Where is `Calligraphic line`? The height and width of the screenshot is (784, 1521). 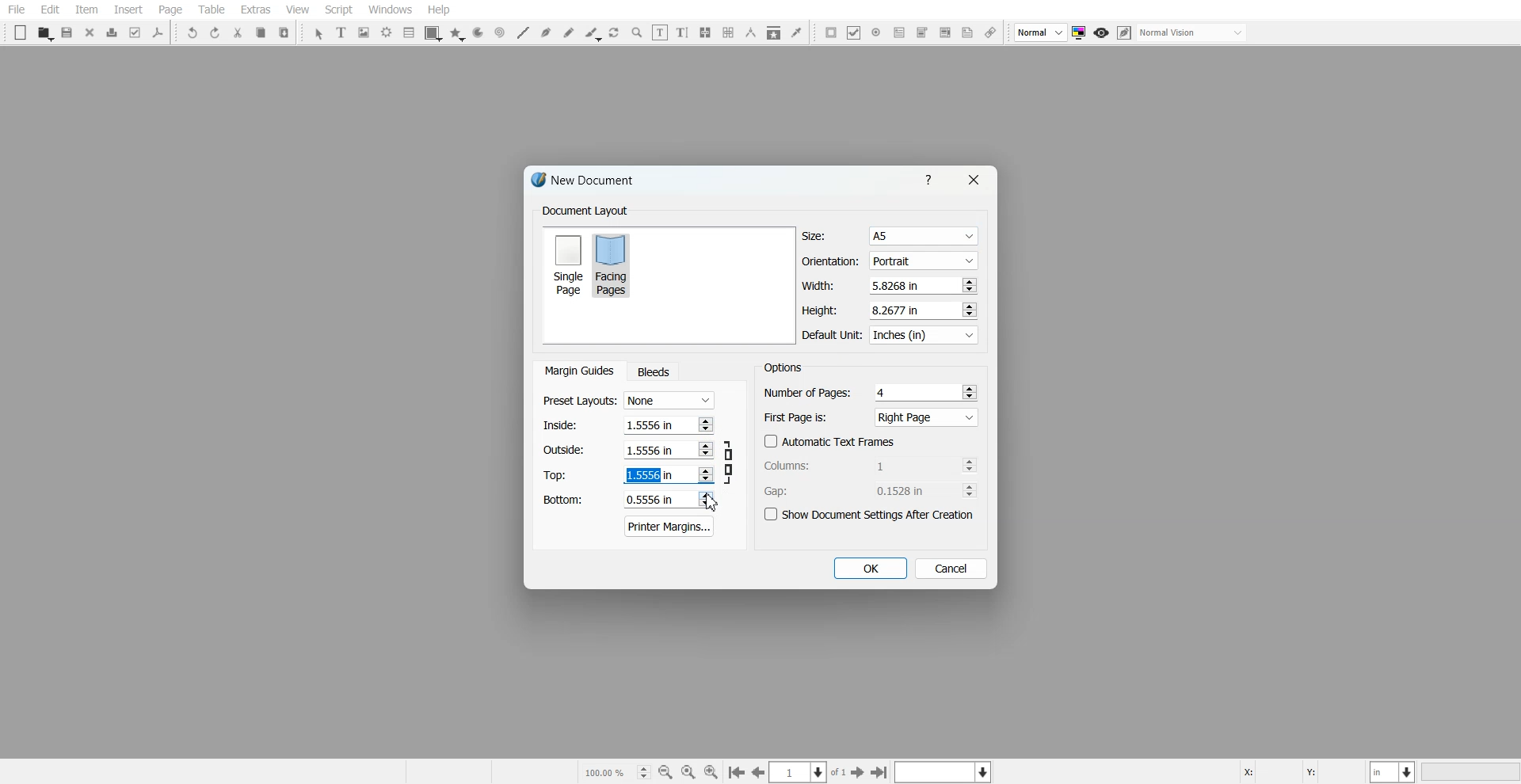 Calligraphic line is located at coordinates (593, 34).